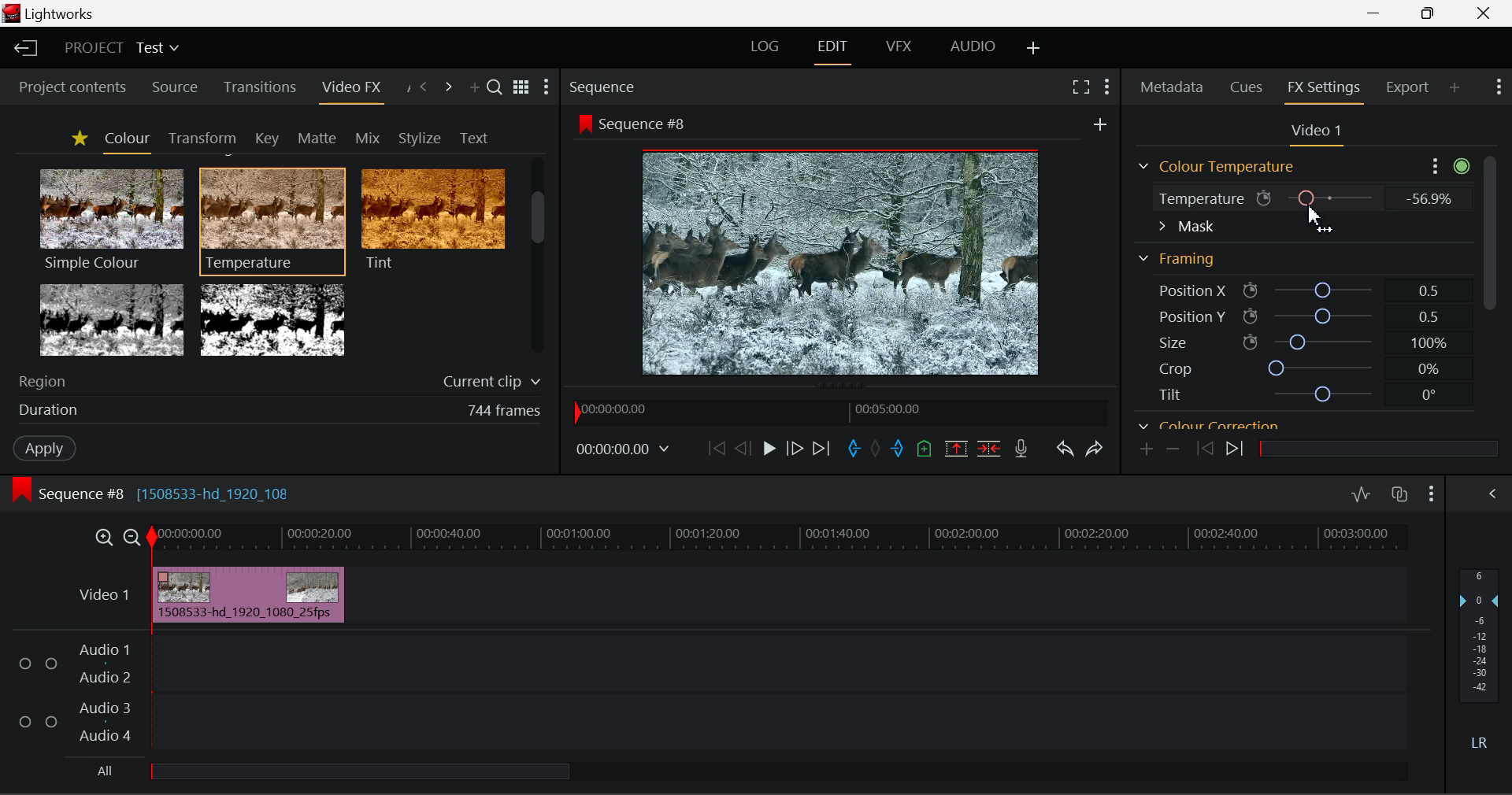  What do you see at coordinates (432, 219) in the screenshot?
I see `Tint` at bounding box center [432, 219].